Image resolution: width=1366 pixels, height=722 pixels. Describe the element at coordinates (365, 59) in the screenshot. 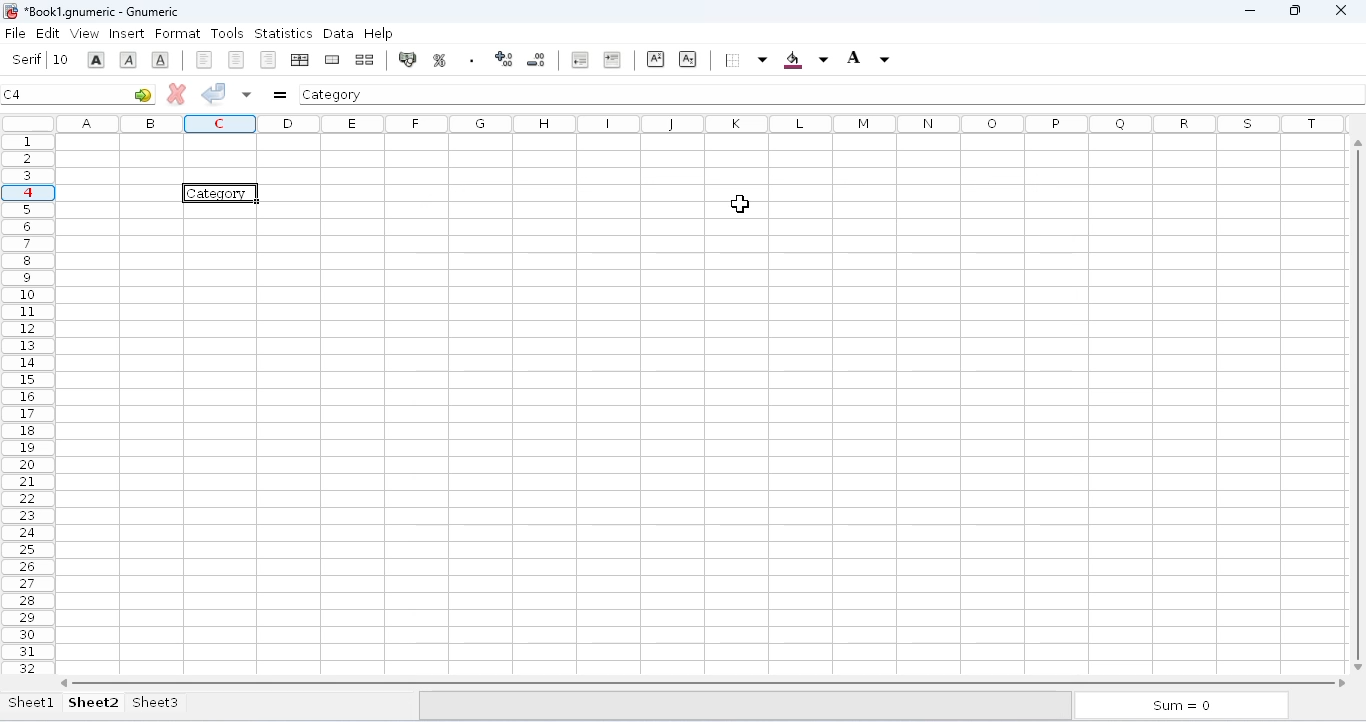

I see `merge a range of cells` at that location.